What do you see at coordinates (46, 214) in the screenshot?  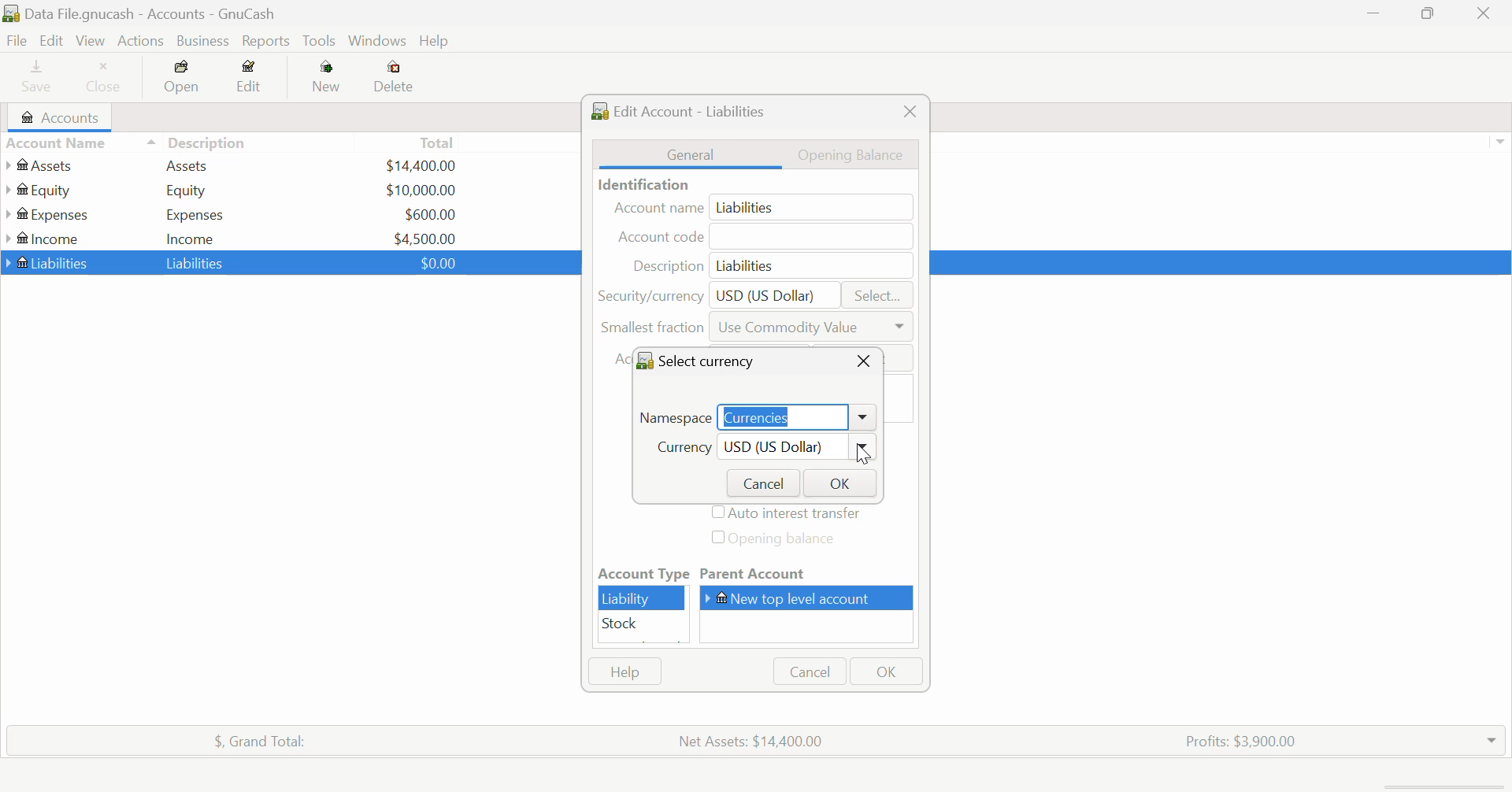 I see `Expenses Account` at bounding box center [46, 214].